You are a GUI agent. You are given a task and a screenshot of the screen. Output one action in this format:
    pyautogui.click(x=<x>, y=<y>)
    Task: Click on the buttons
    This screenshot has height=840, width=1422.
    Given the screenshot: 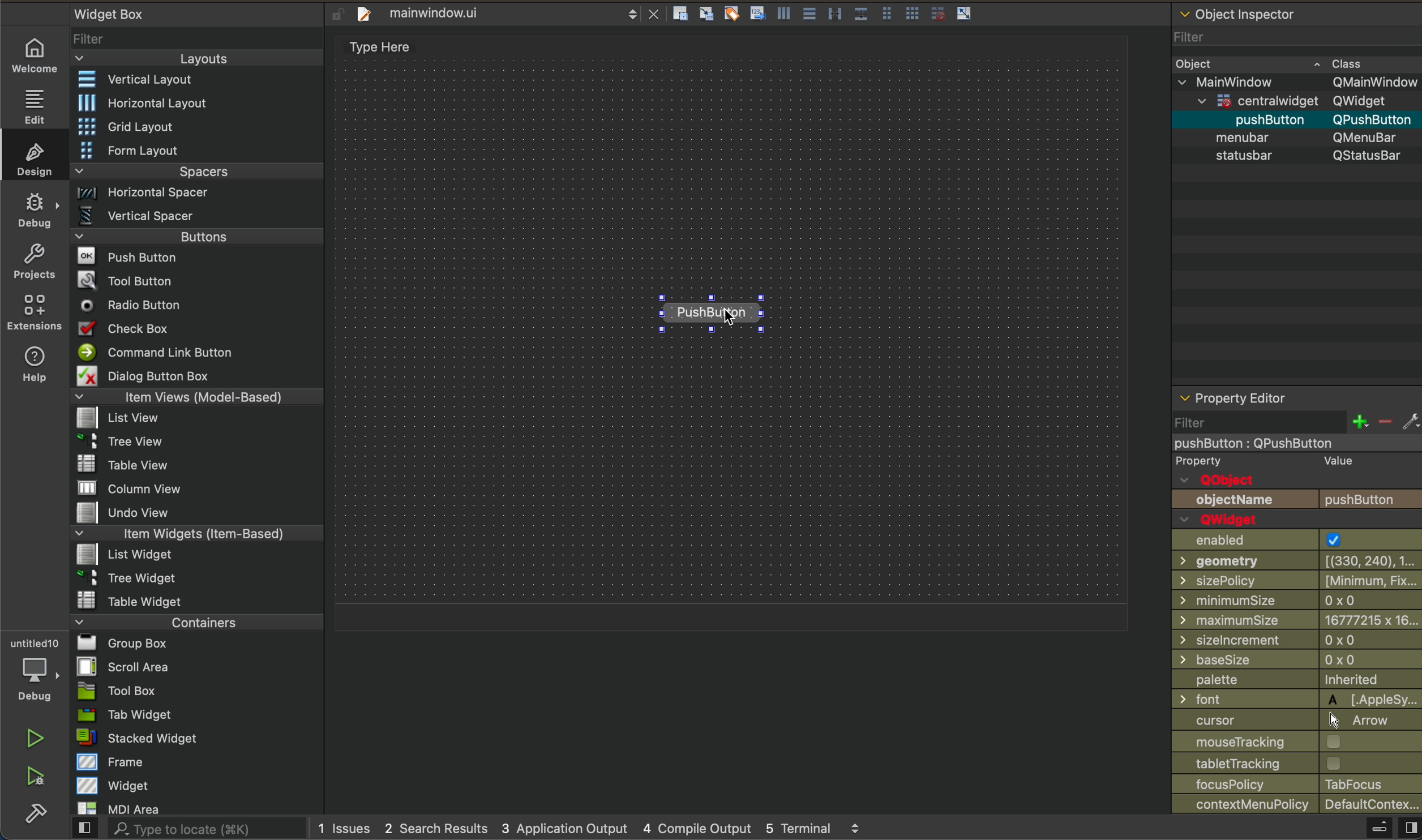 What is the action you would take?
    pyautogui.click(x=195, y=237)
    